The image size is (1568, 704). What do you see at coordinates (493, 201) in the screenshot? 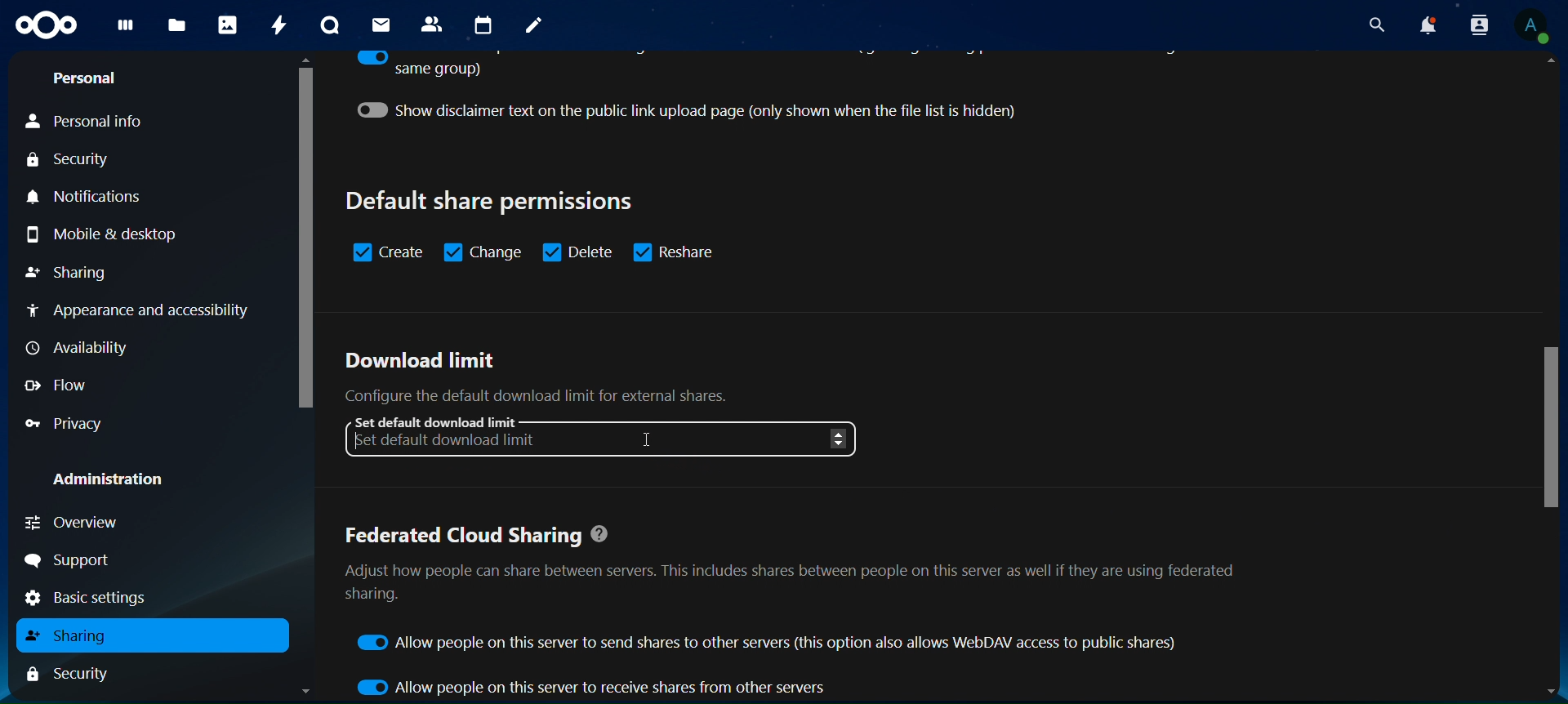
I see `default share permissions` at bounding box center [493, 201].